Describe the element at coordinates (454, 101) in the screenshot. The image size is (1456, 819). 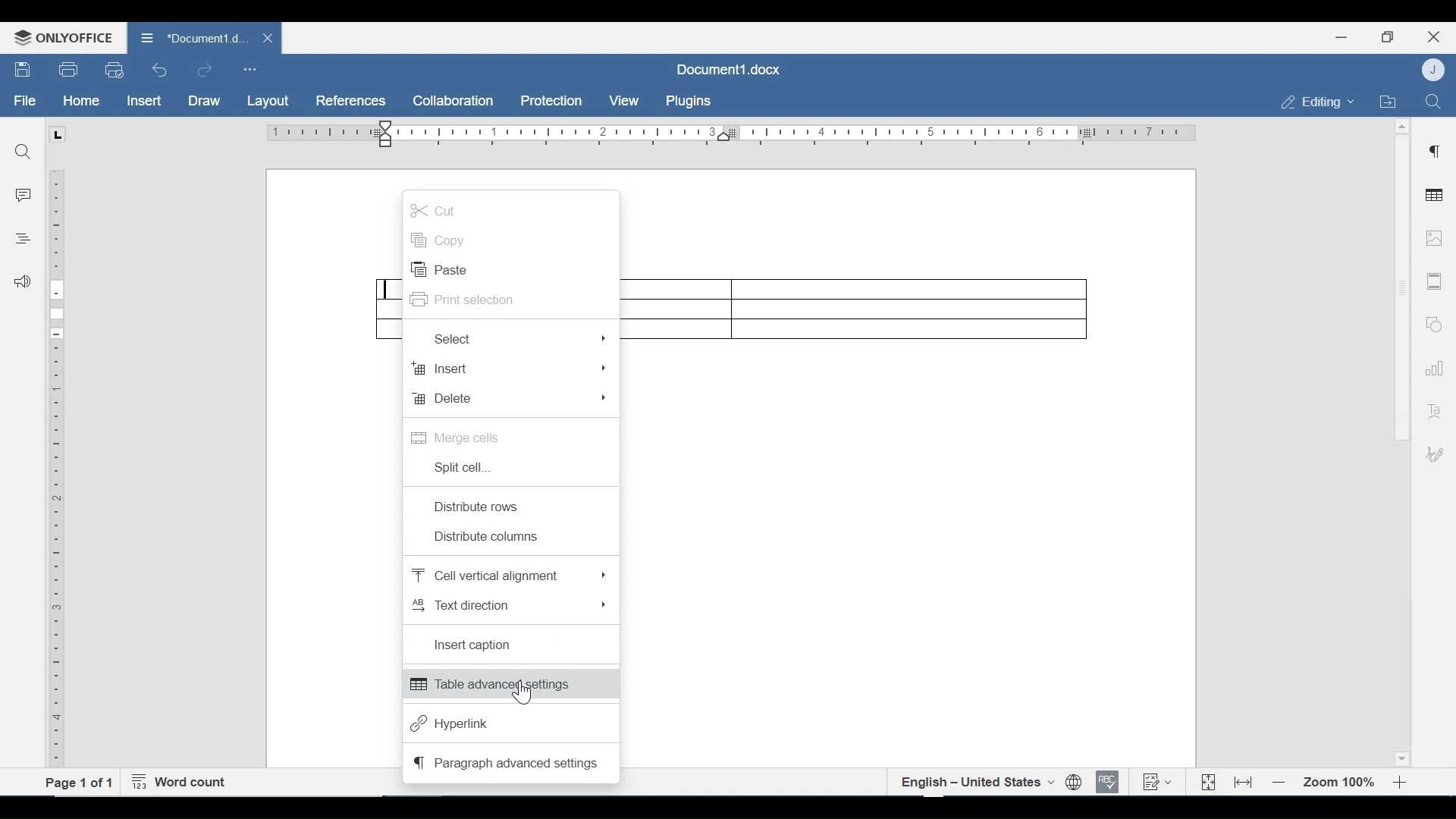
I see `Collaboration` at that location.